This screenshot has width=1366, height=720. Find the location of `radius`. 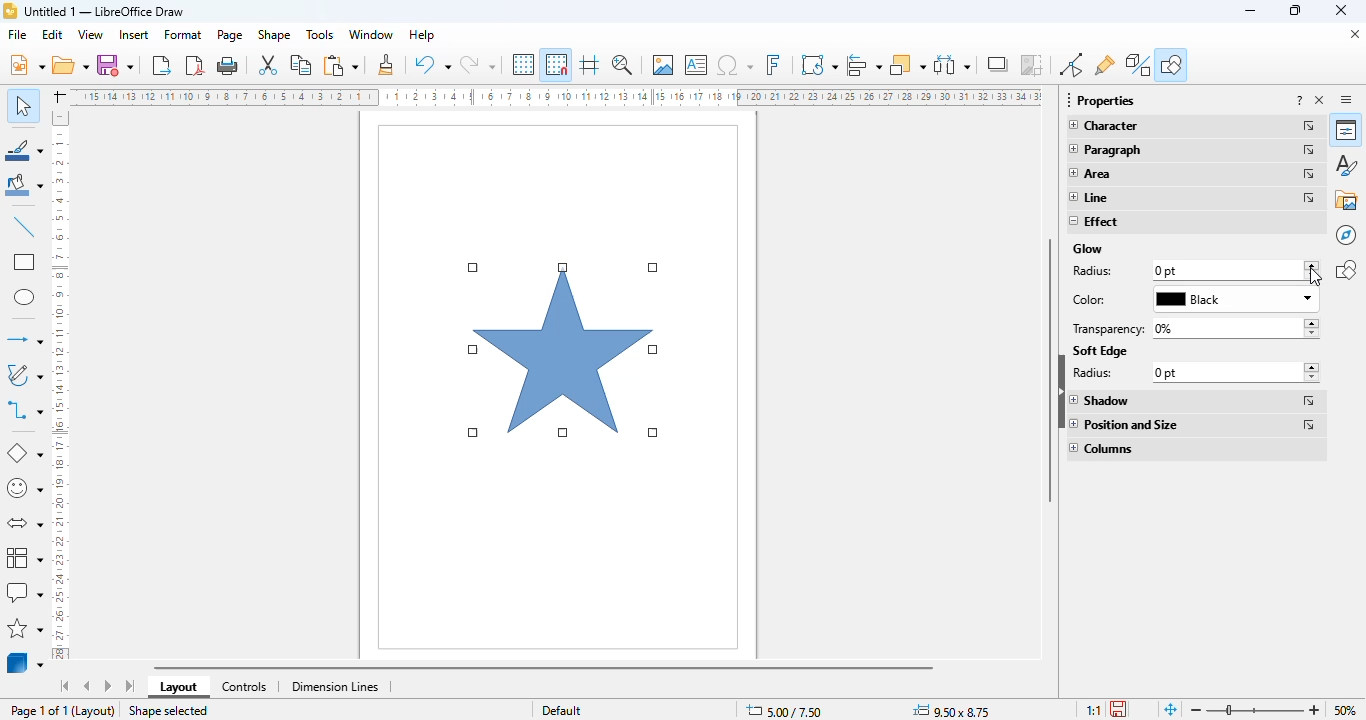

radius is located at coordinates (1106, 374).